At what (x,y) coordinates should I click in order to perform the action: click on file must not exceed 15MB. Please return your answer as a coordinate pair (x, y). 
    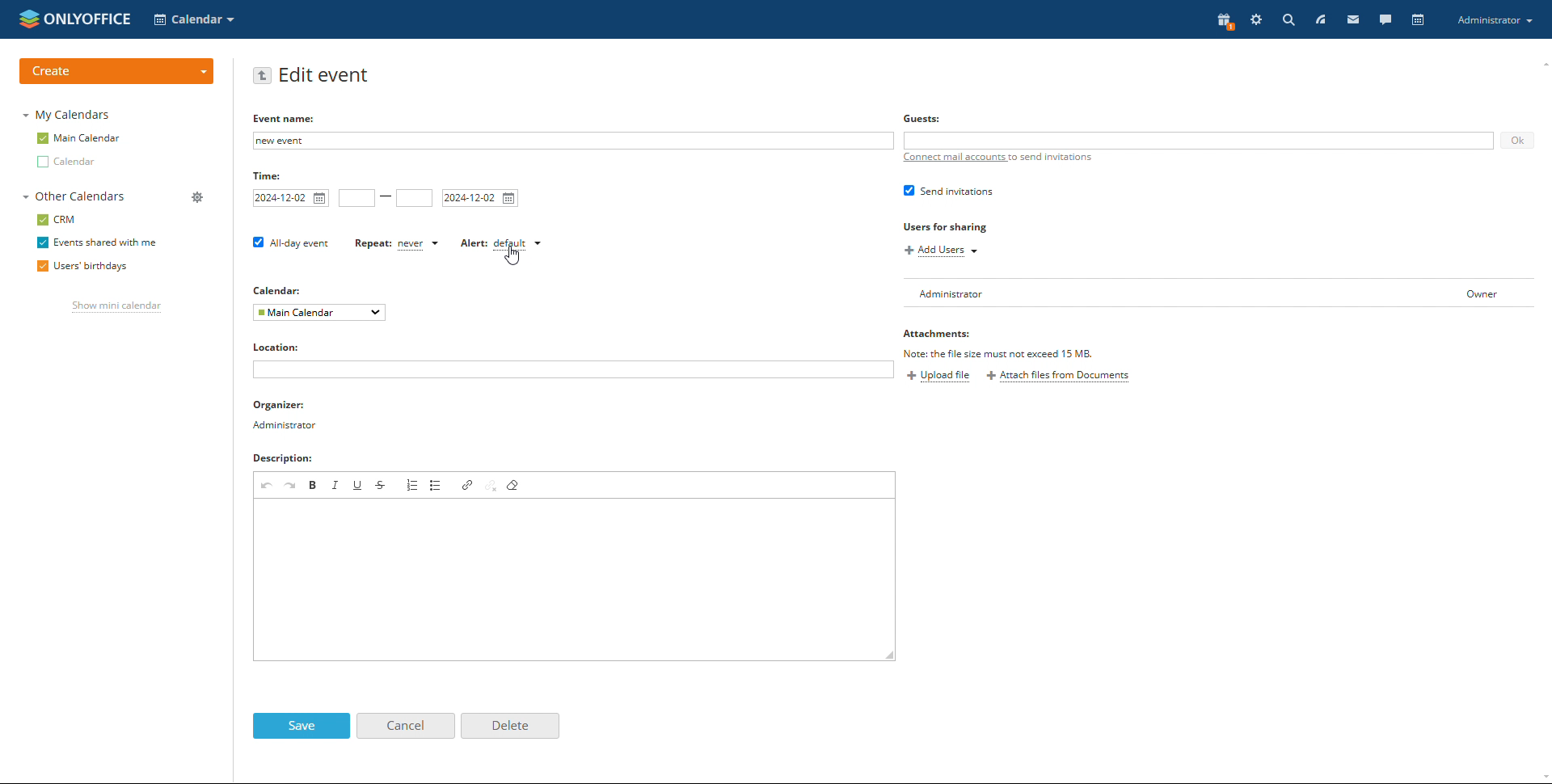
    Looking at the image, I should click on (1003, 355).